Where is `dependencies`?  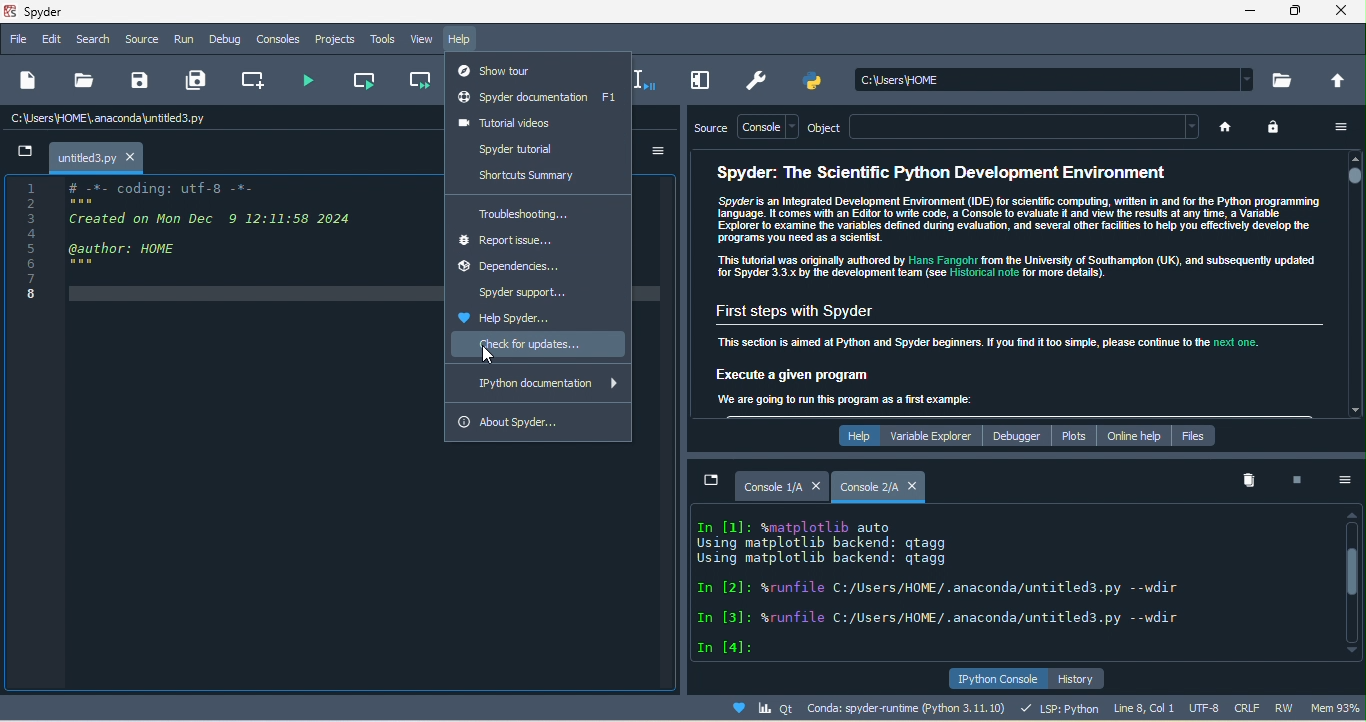
dependencies is located at coordinates (514, 269).